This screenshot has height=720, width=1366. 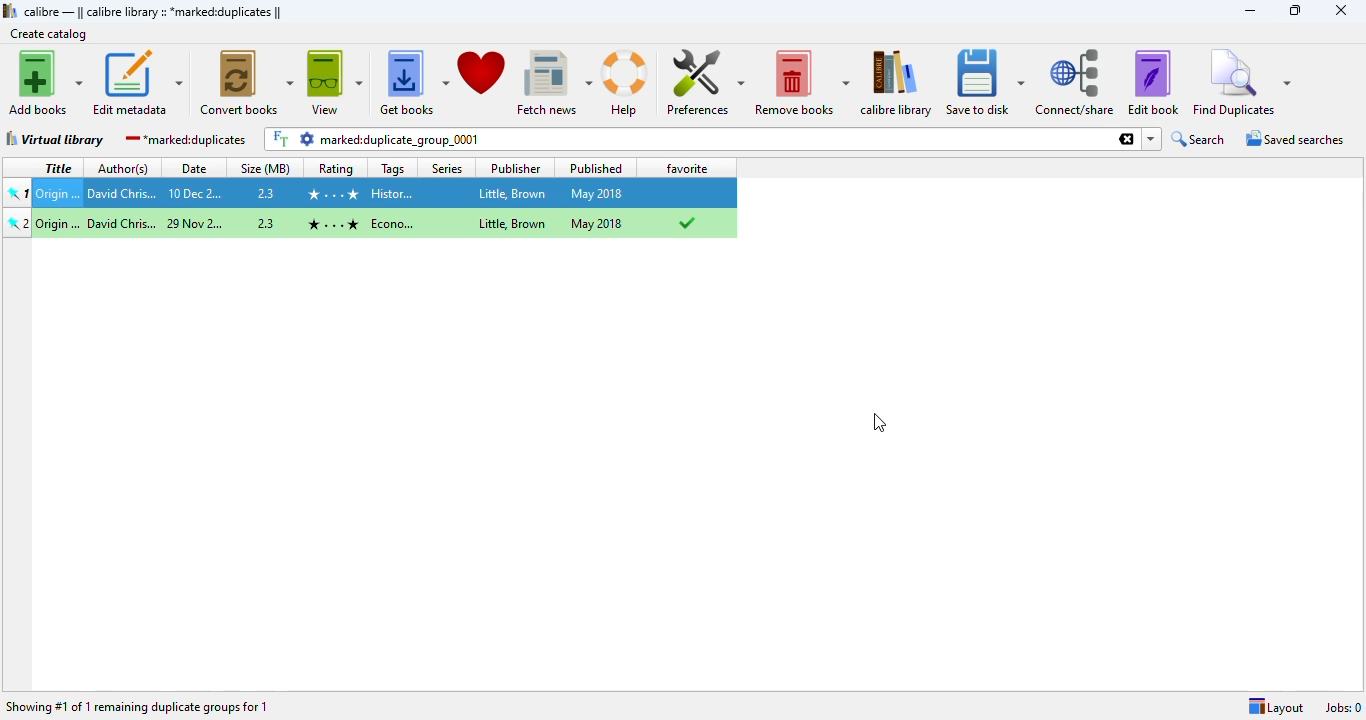 What do you see at coordinates (1298, 10) in the screenshot?
I see `maximize` at bounding box center [1298, 10].